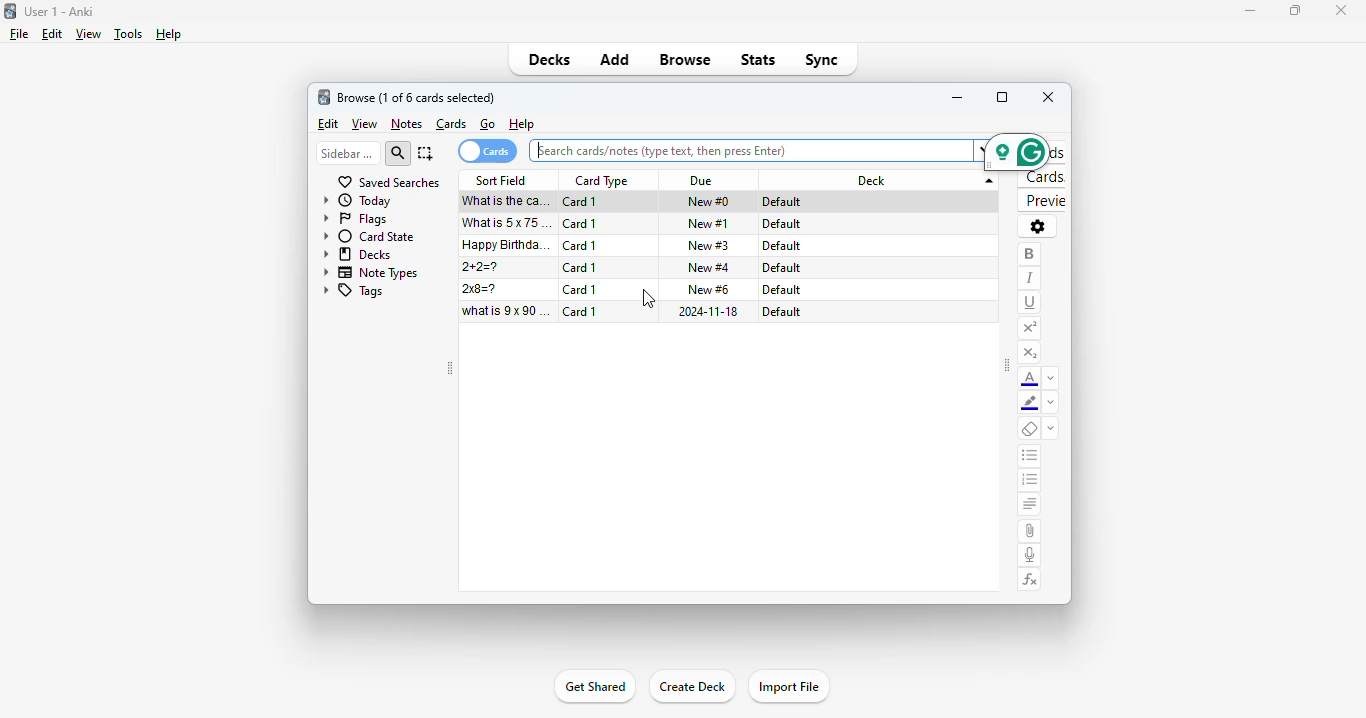 The width and height of the screenshot is (1366, 718). What do you see at coordinates (1029, 531) in the screenshot?
I see `attach pictures/audio/video` at bounding box center [1029, 531].